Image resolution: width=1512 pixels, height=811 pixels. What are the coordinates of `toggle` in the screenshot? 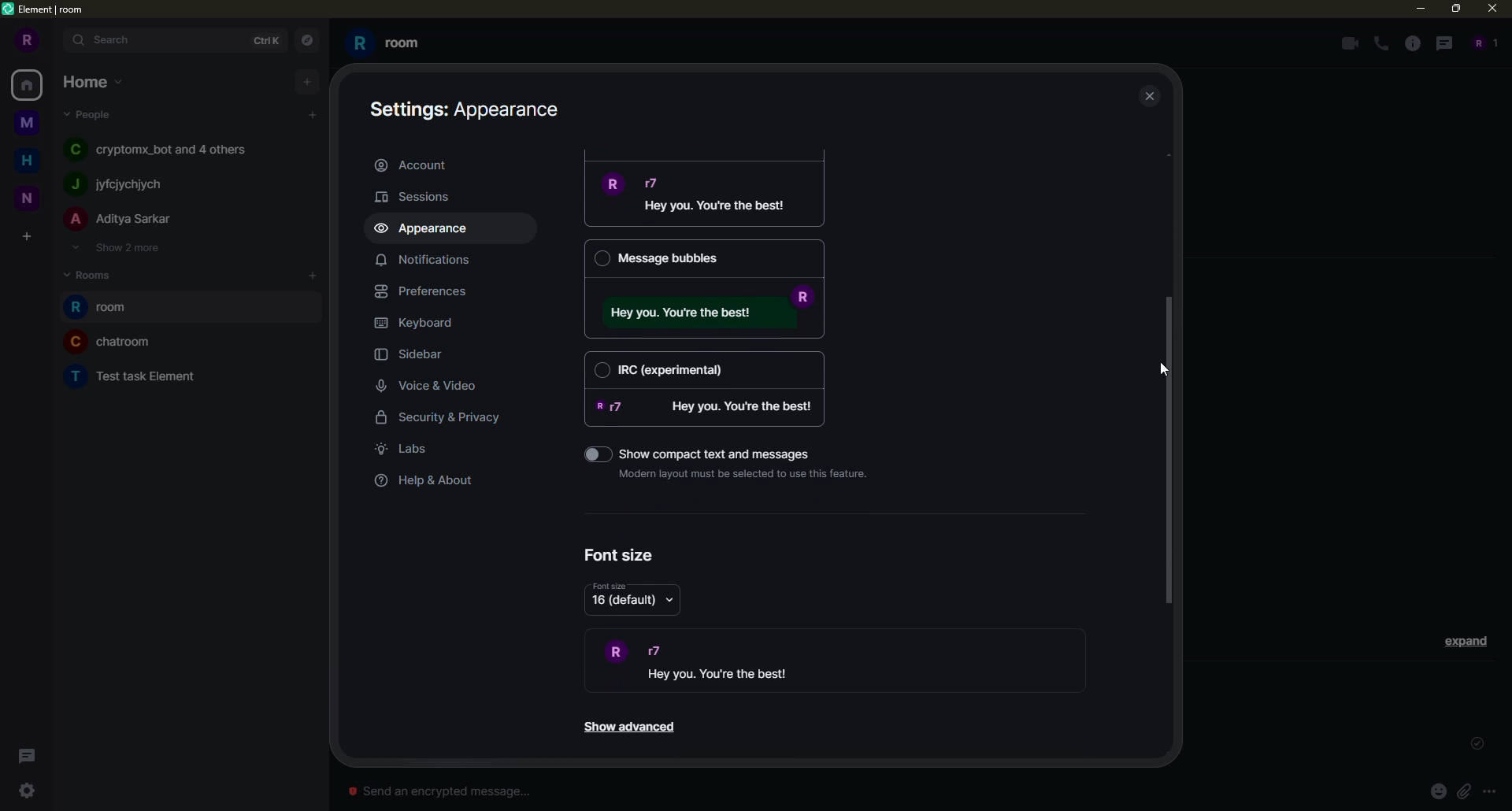 It's located at (587, 450).